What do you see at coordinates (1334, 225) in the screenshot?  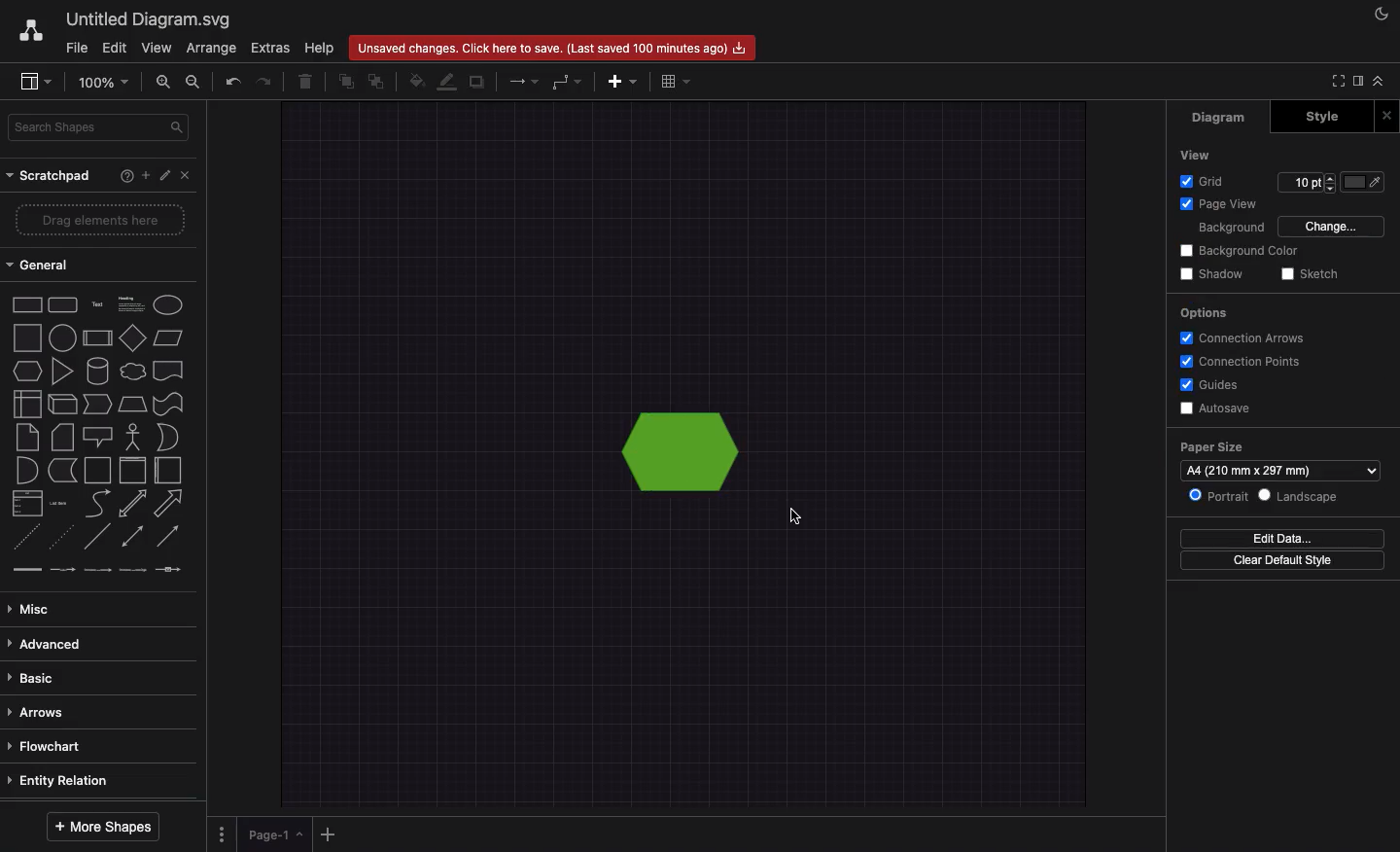 I see `Change` at bounding box center [1334, 225].